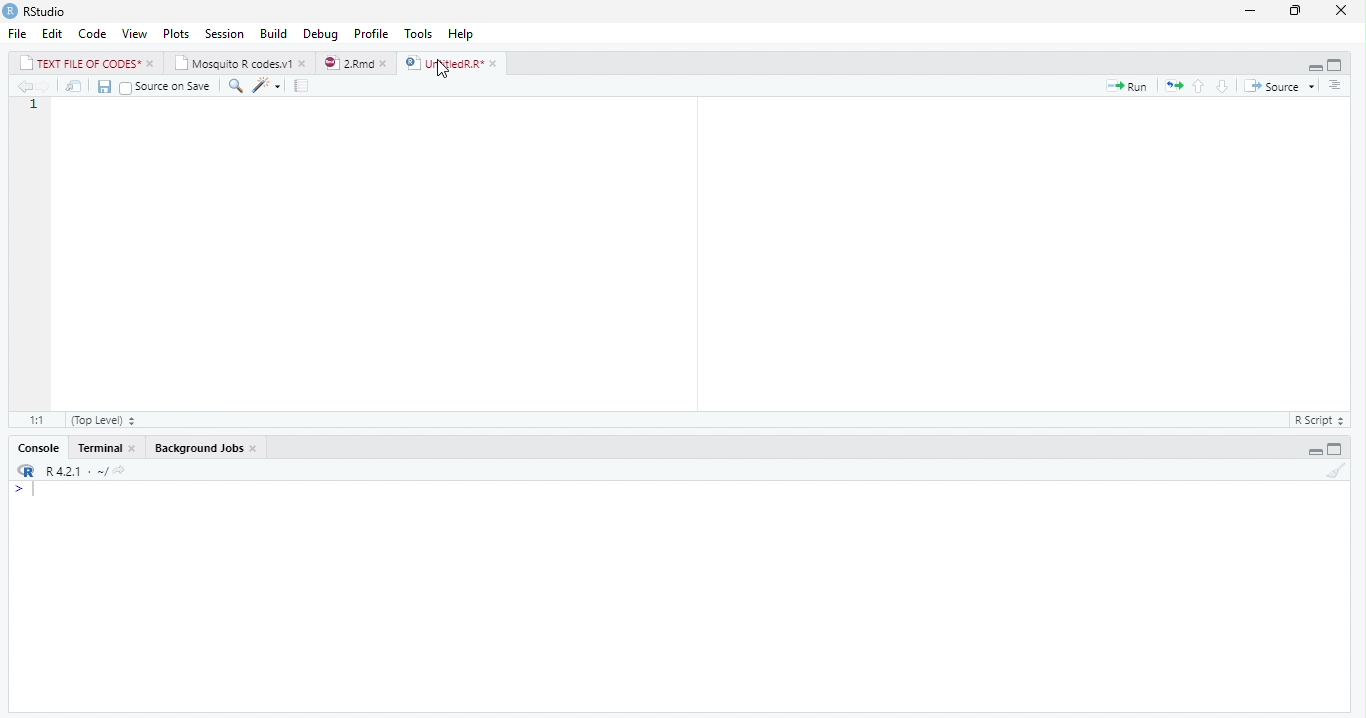 Image resolution: width=1366 pixels, height=718 pixels. What do you see at coordinates (20, 33) in the screenshot?
I see `File` at bounding box center [20, 33].